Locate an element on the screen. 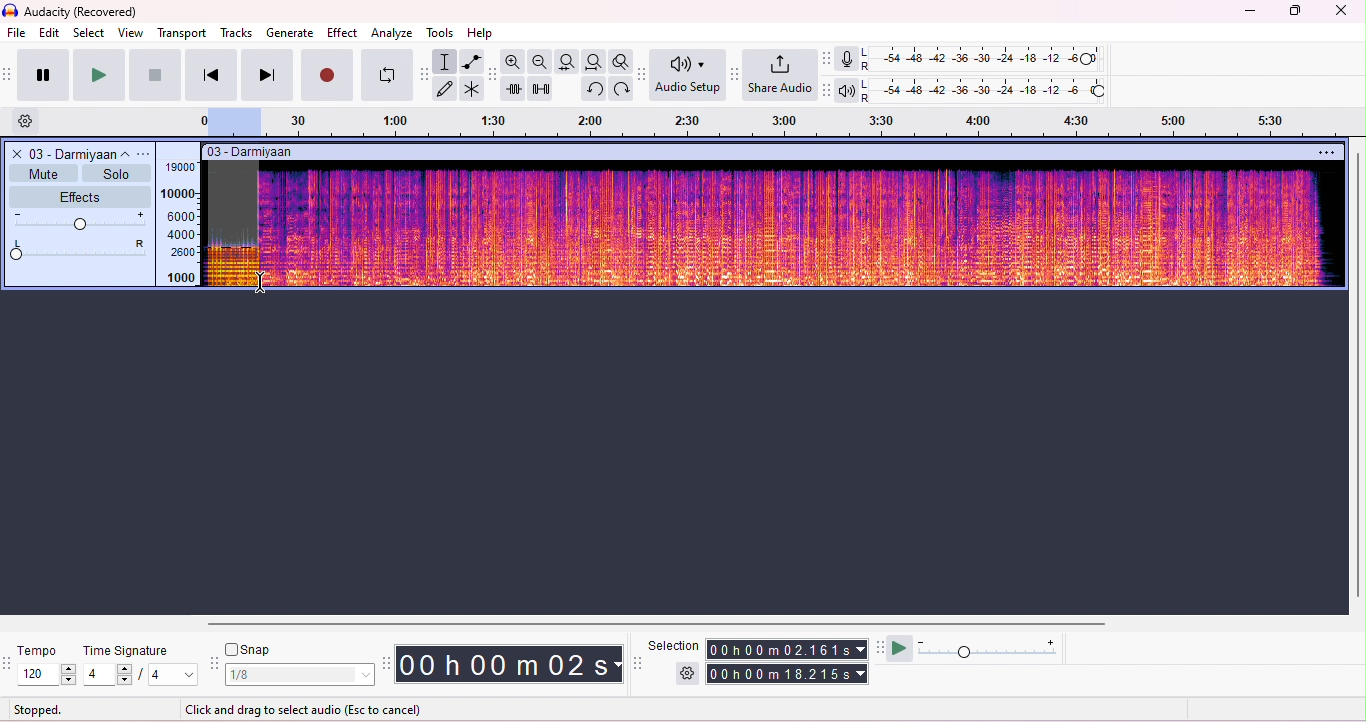  recording level is located at coordinates (987, 60).